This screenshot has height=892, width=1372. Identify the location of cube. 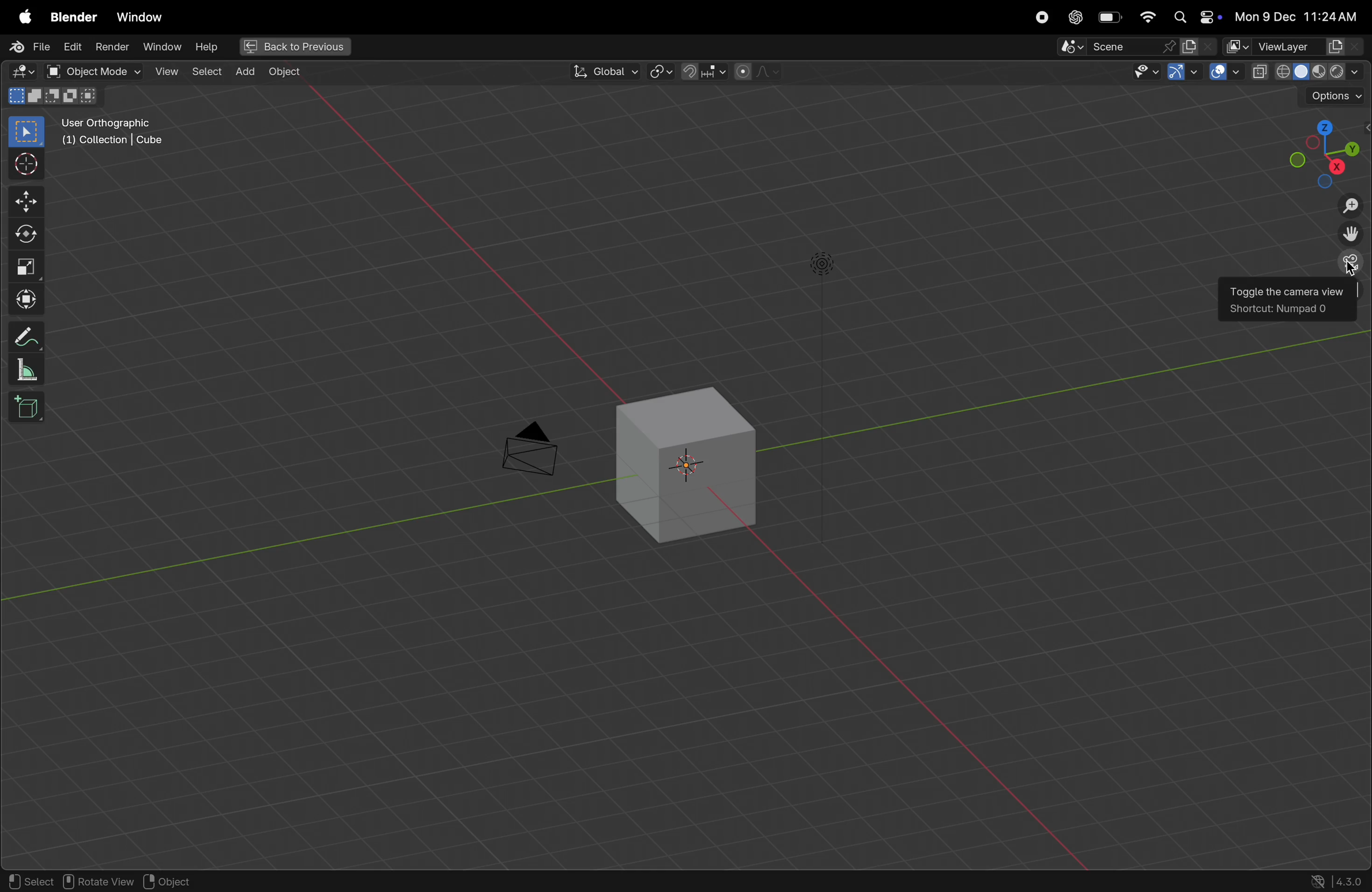
(693, 471).